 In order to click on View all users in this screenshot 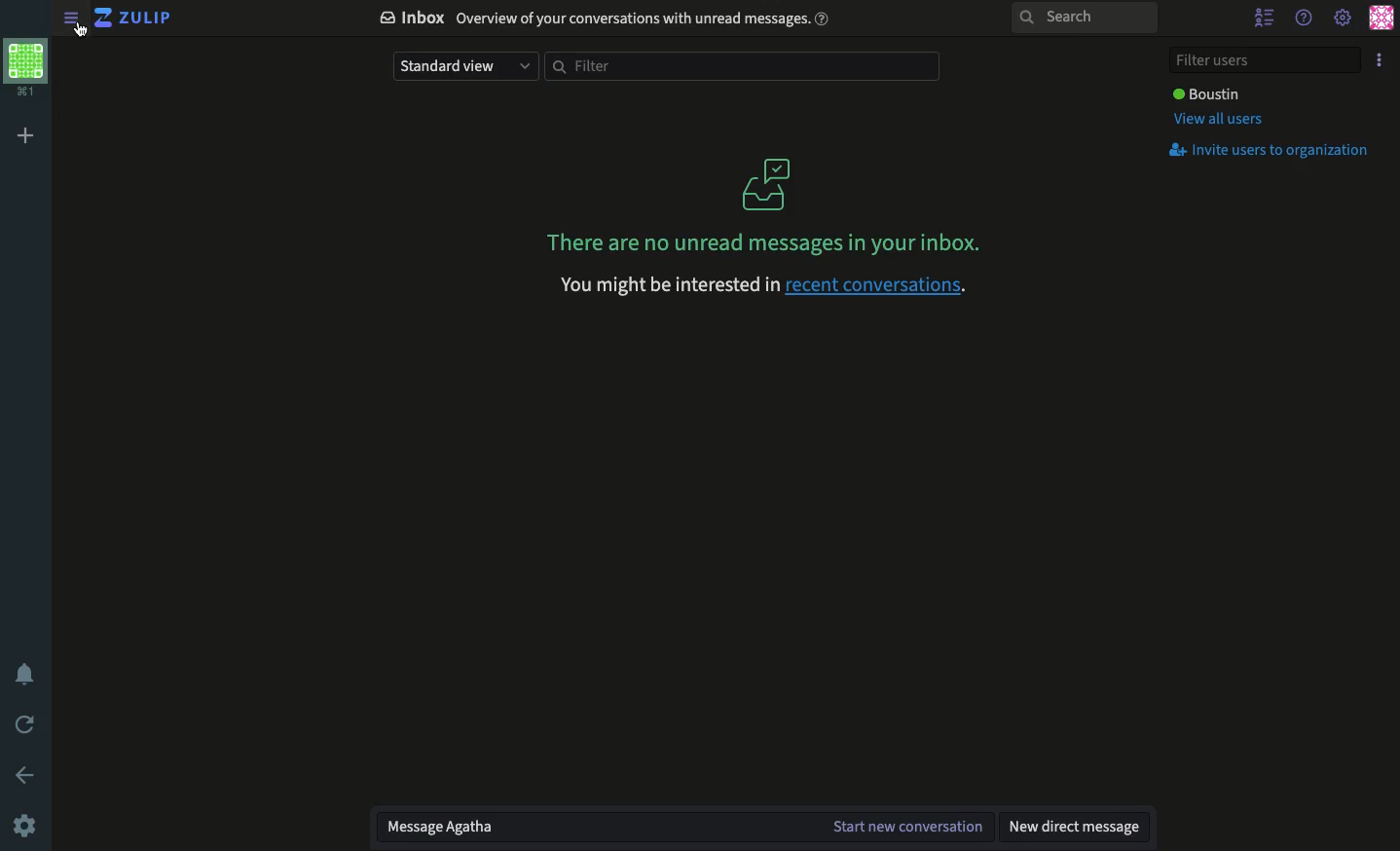, I will do `click(1221, 120)`.